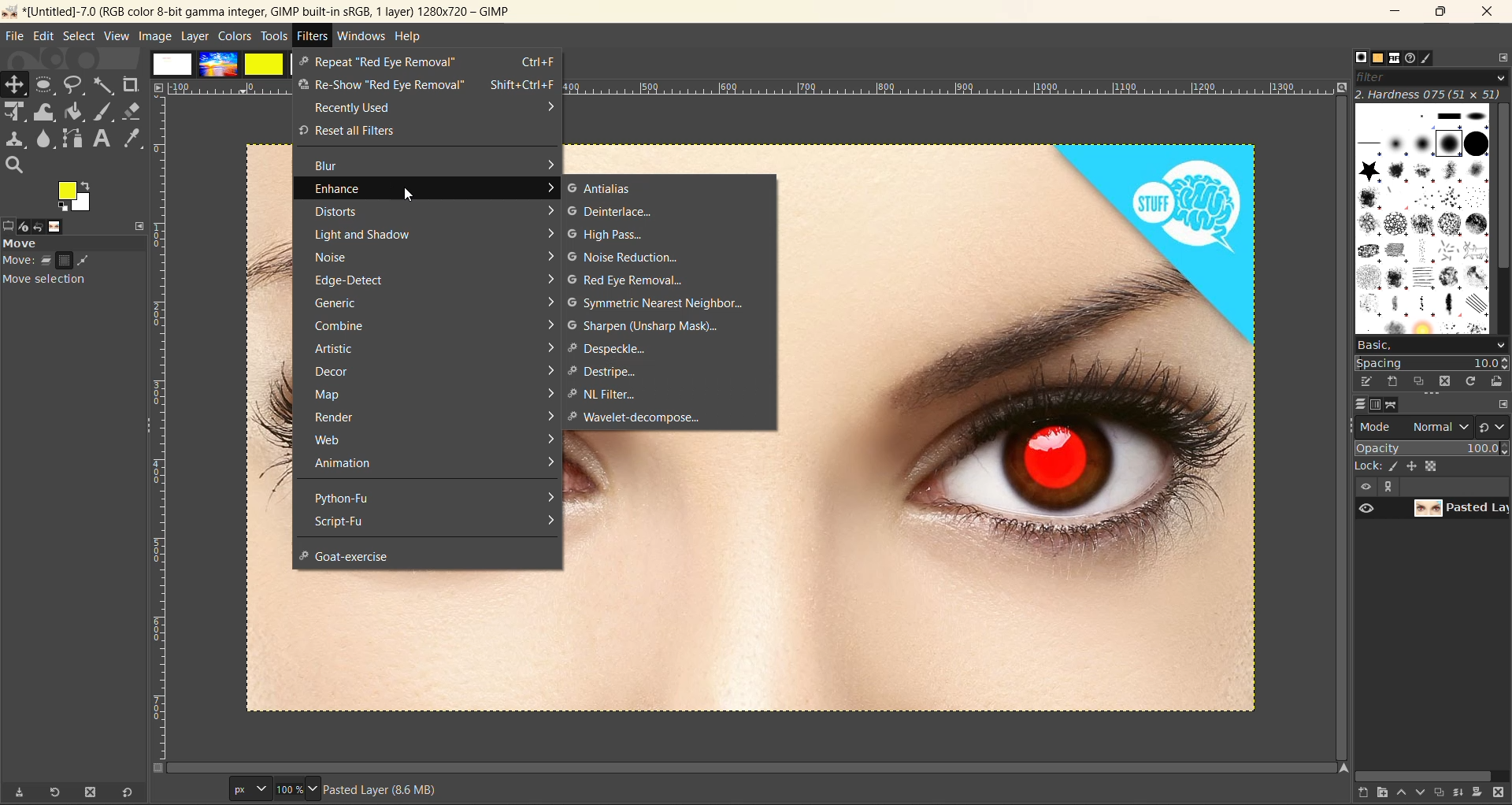 The image size is (1512, 805). I want to click on blur, so click(435, 165).